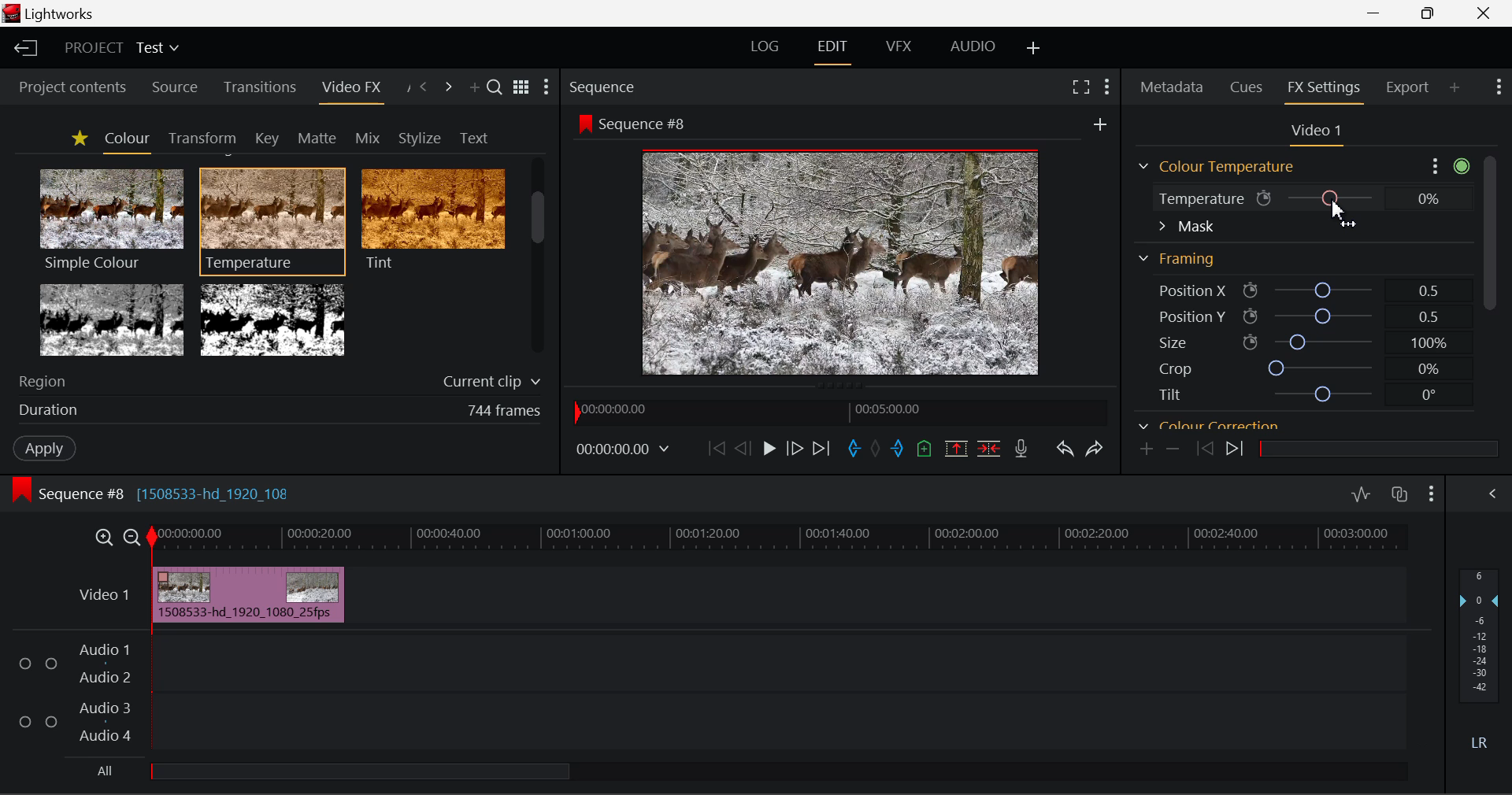  Describe the element at coordinates (1147, 449) in the screenshot. I see `Add keyframe` at that location.